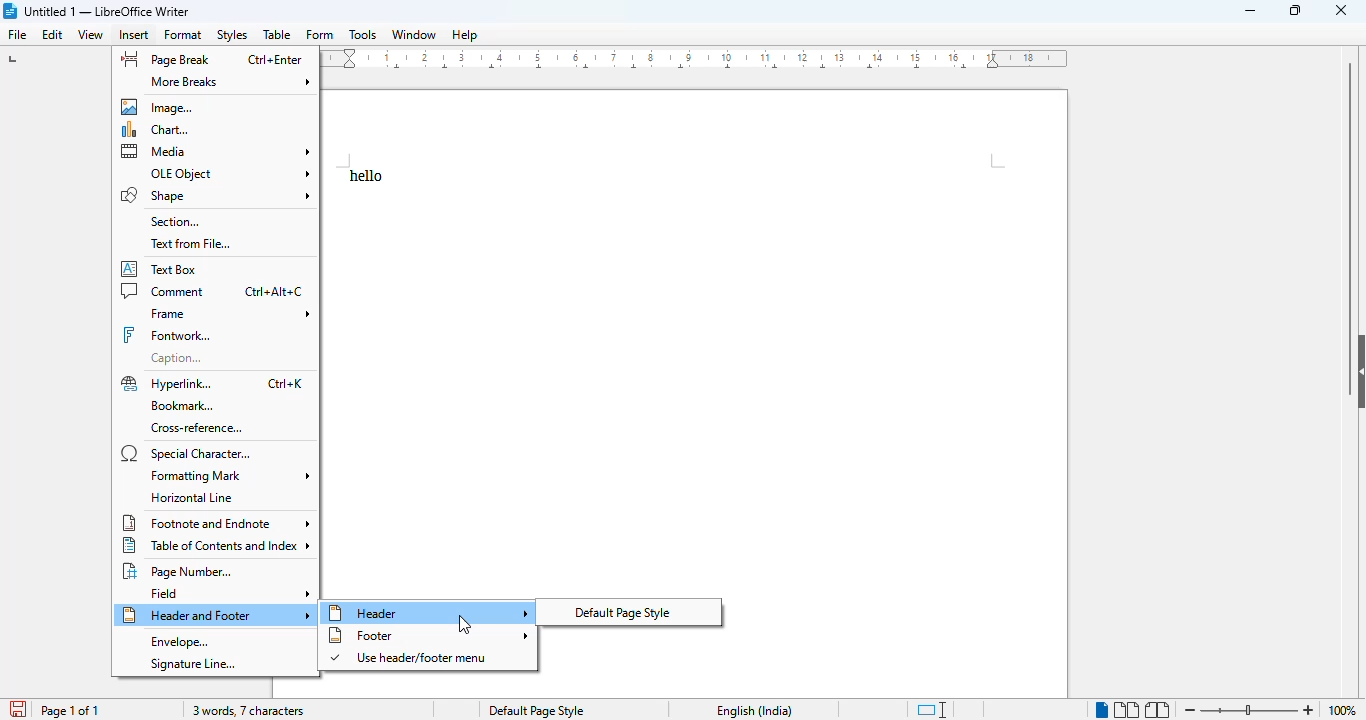  Describe the element at coordinates (156, 130) in the screenshot. I see `chart` at that location.